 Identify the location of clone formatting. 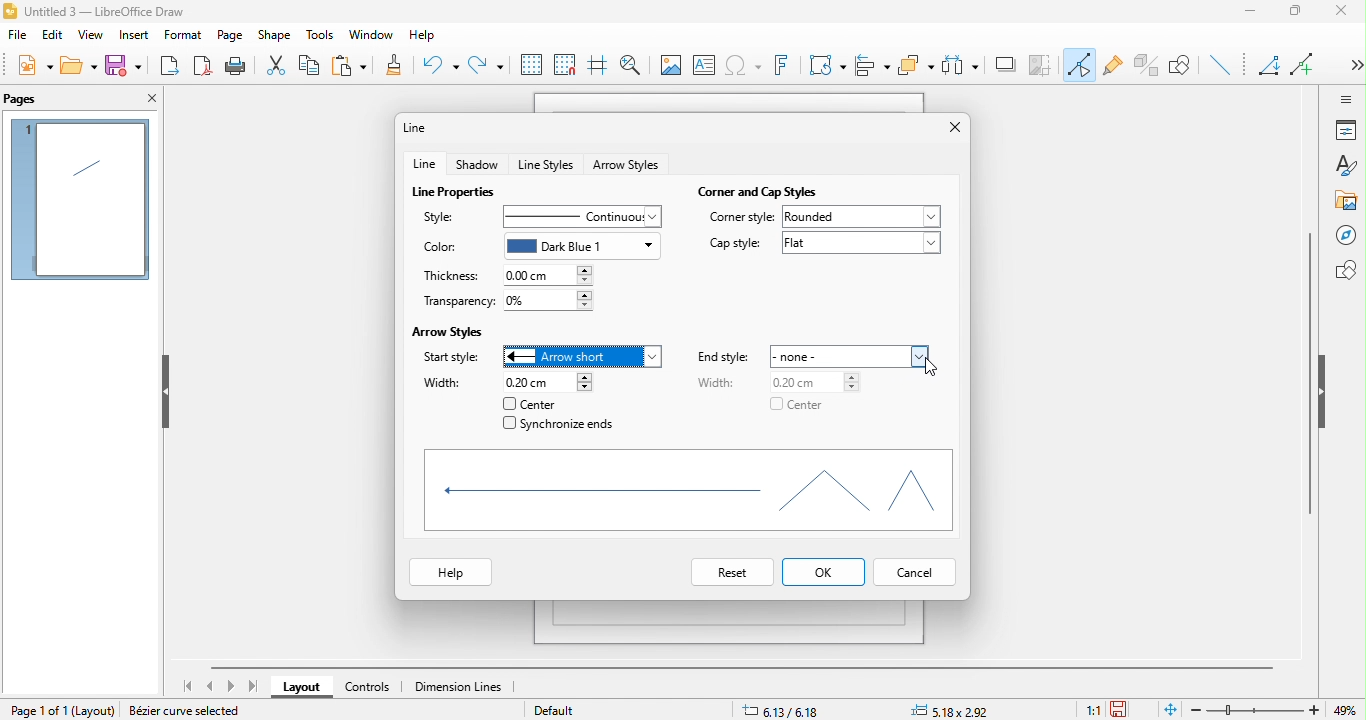
(401, 67).